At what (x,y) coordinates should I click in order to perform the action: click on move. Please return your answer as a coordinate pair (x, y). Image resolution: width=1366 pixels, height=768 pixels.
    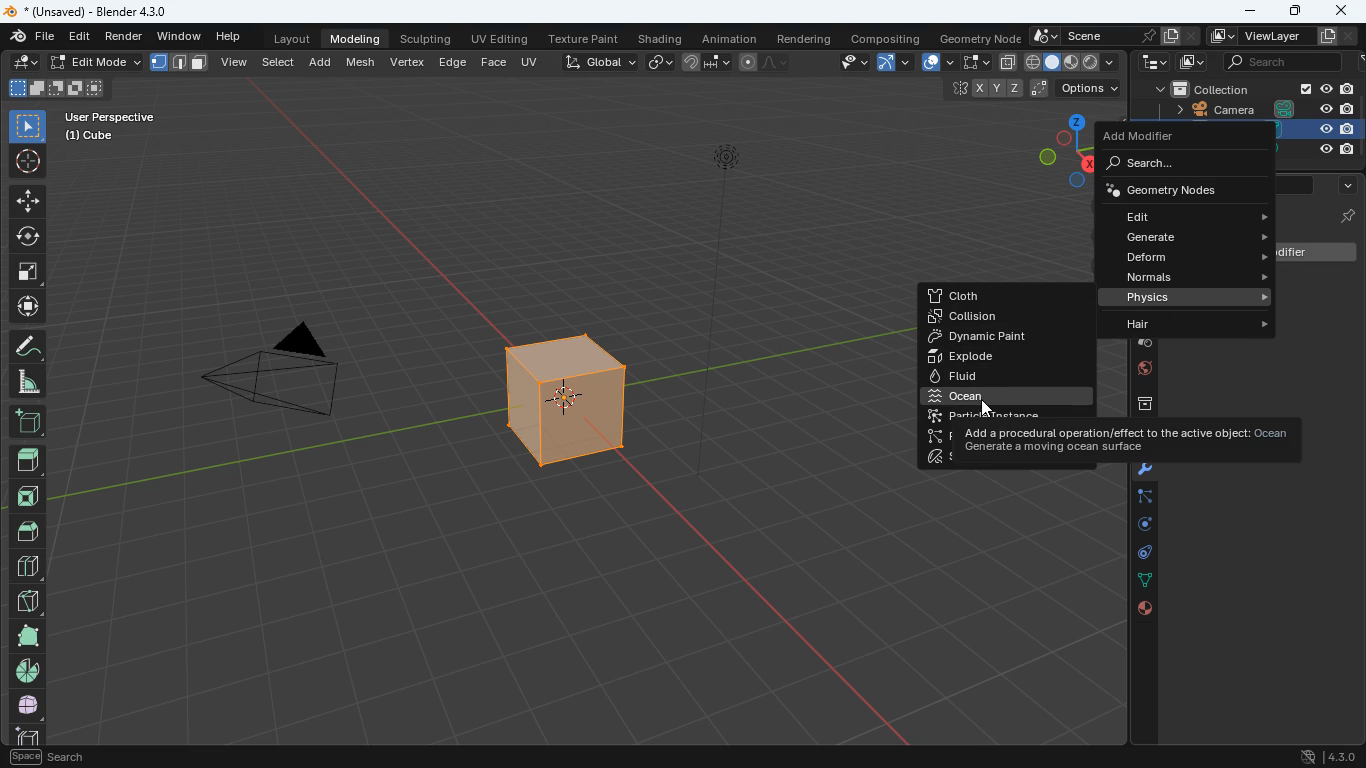
    Looking at the image, I should click on (27, 200).